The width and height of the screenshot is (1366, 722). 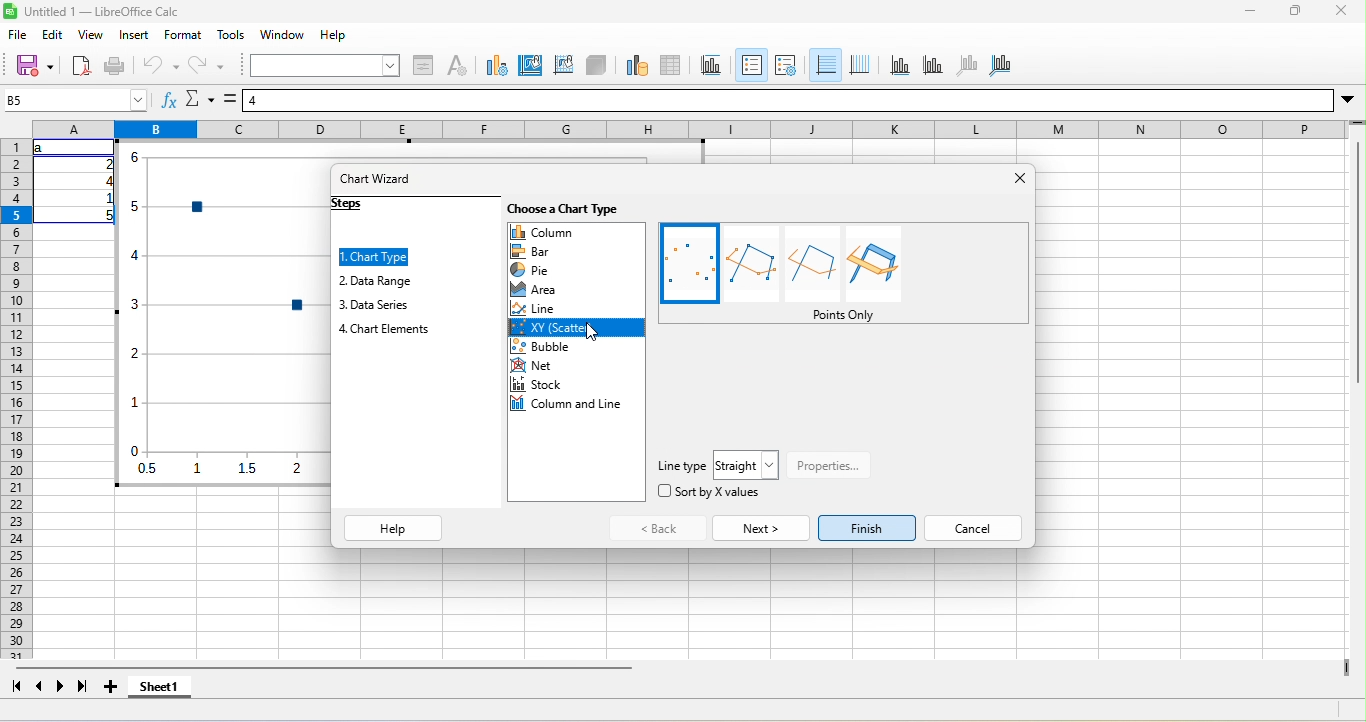 I want to click on column headings, so click(x=690, y=129).